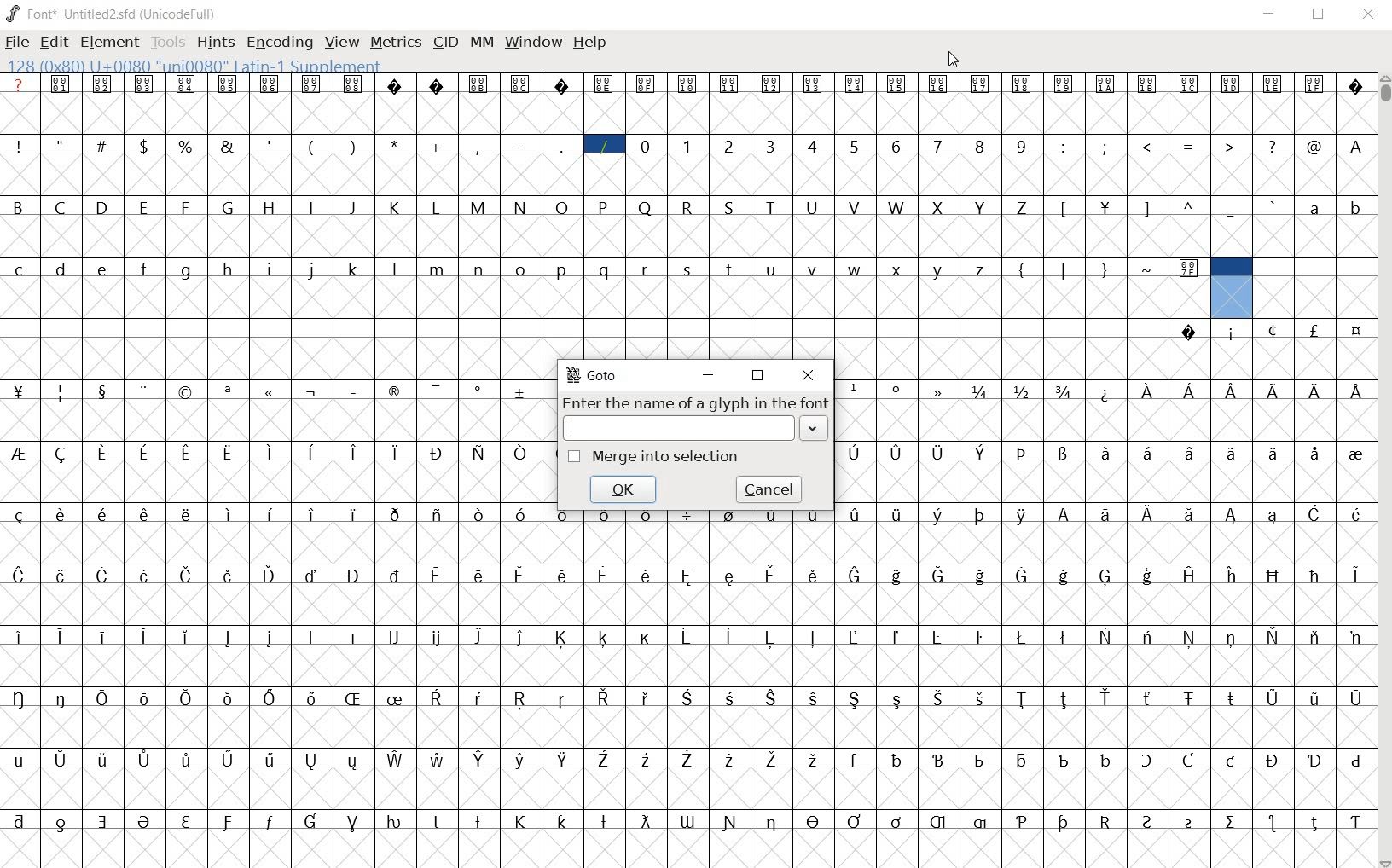 This screenshot has height=868, width=1392. What do you see at coordinates (20, 636) in the screenshot?
I see `Symbol` at bounding box center [20, 636].